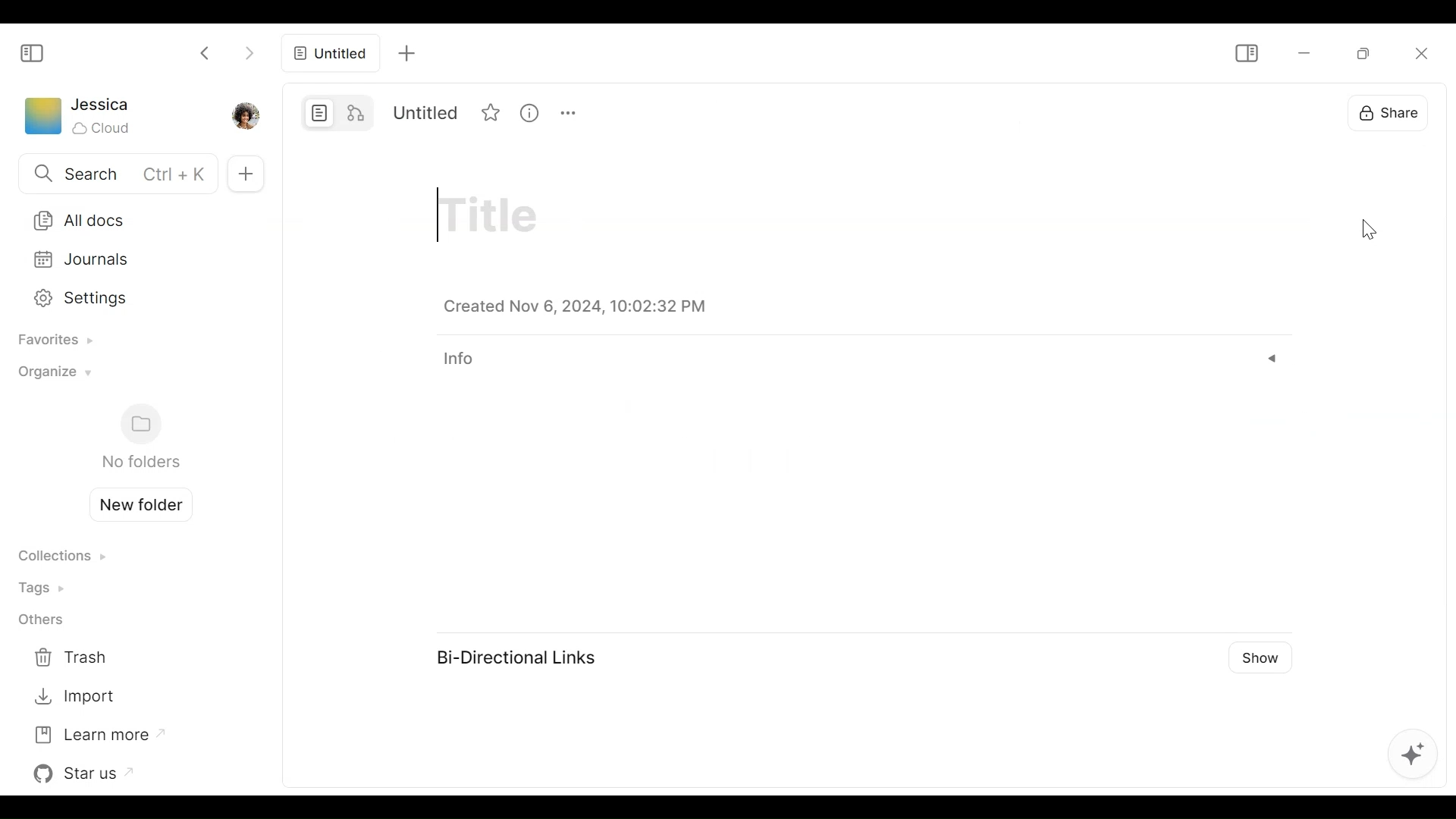 This screenshot has width=1456, height=819. What do you see at coordinates (98, 733) in the screenshot?
I see `Learn more` at bounding box center [98, 733].